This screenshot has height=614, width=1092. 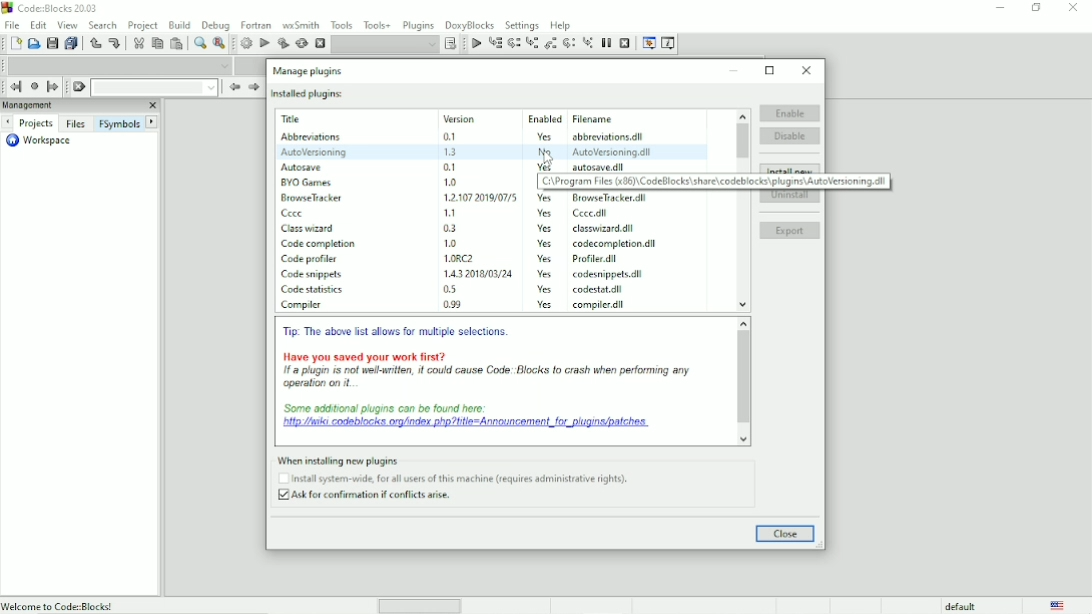 What do you see at coordinates (455, 137) in the screenshot?
I see `version ` at bounding box center [455, 137].